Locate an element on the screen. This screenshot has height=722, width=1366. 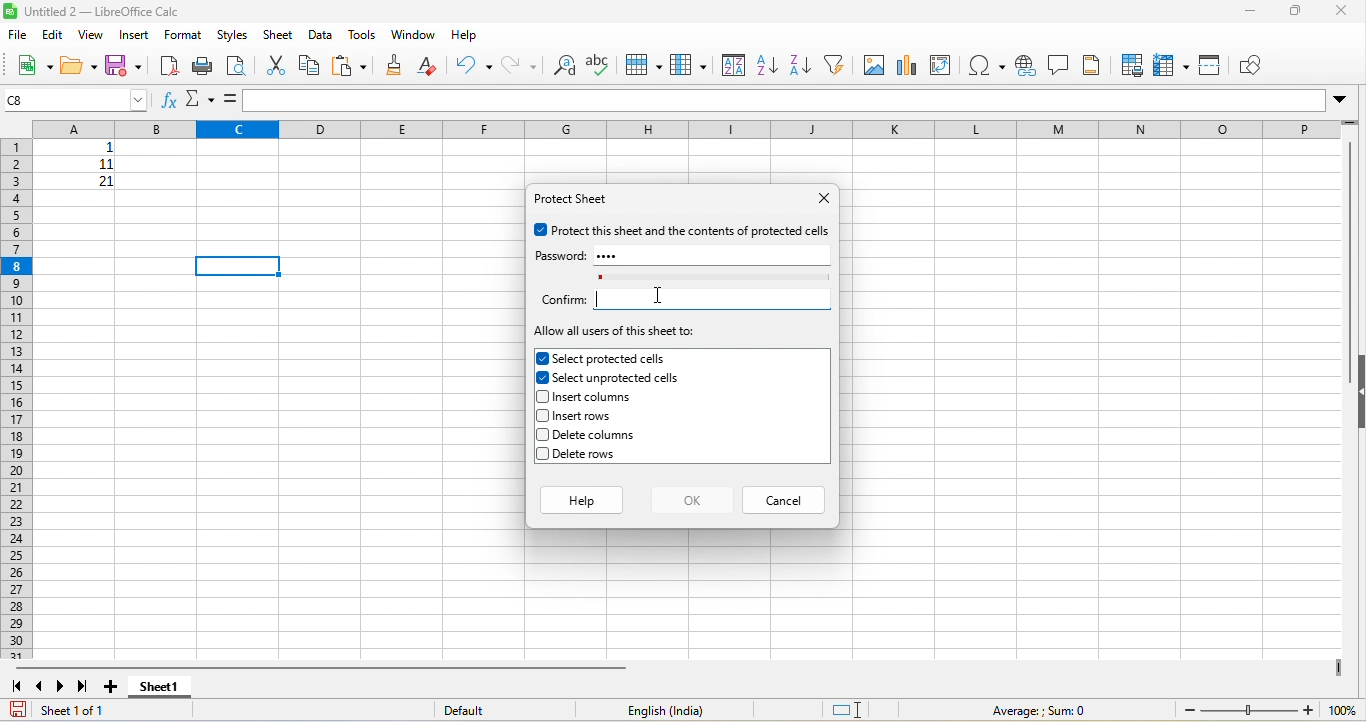
split window is located at coordinates (1211, 67).